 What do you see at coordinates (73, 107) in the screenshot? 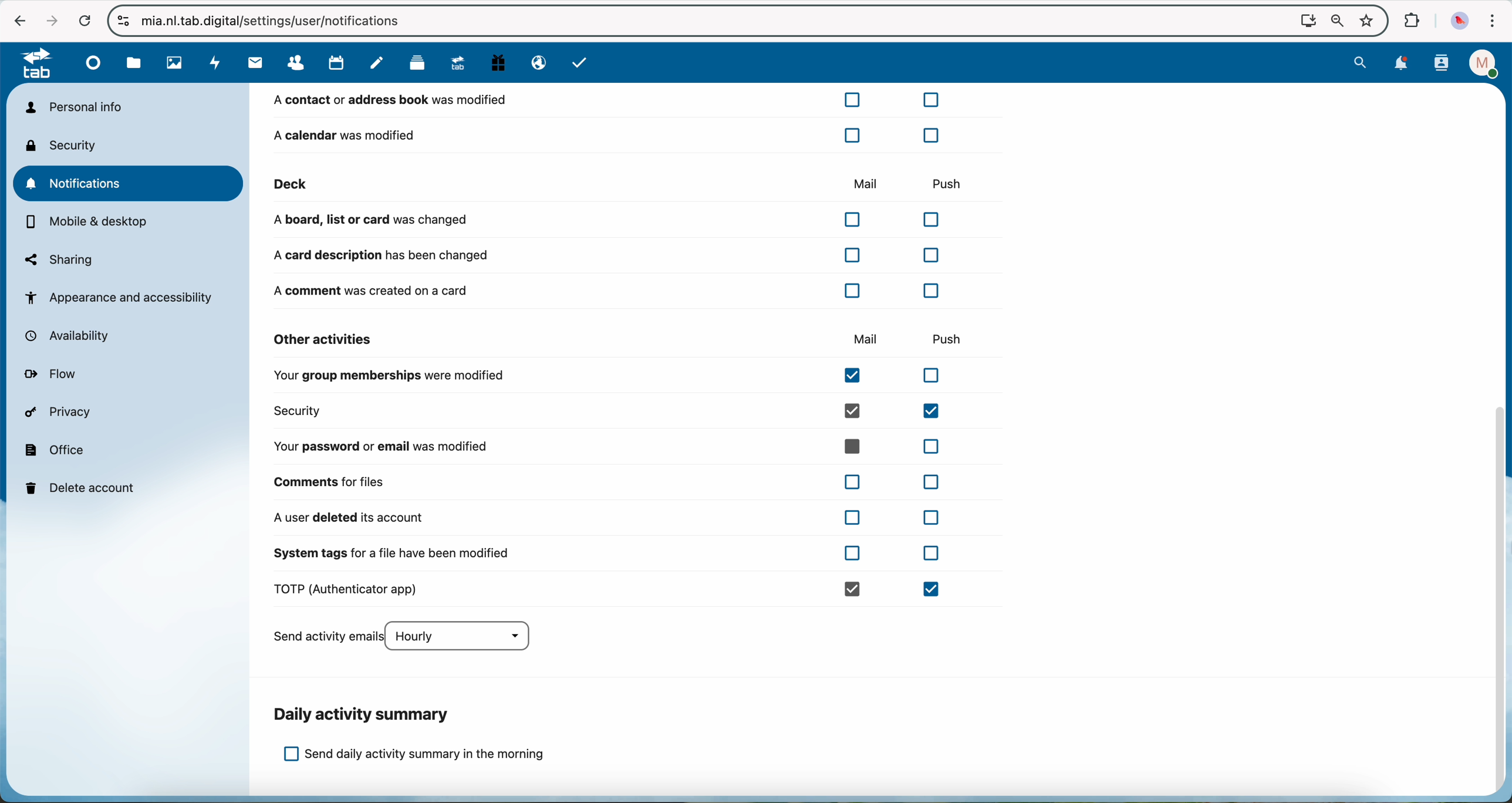
I see `personal info` at bounding box center [73, 107].